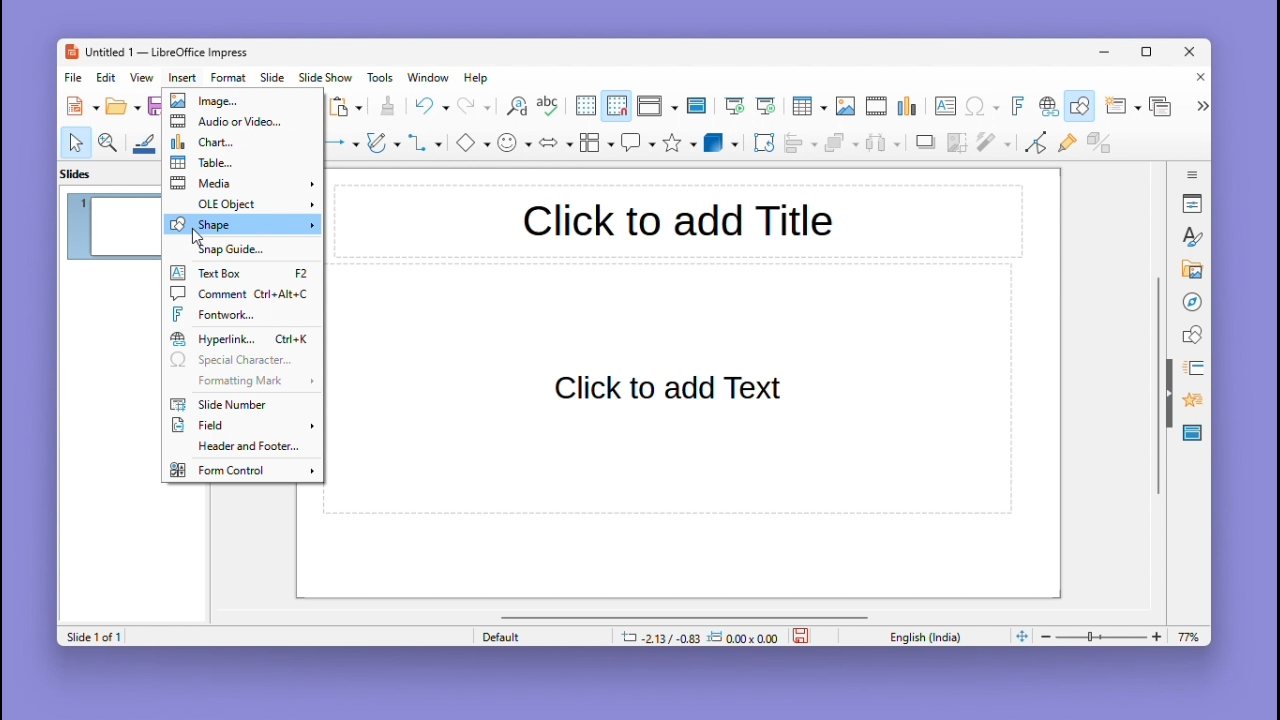 This screenshot has height=720, width=1280. What do you see at coordinates (1106, 636) in the screenshot?
I see `zoom toggle bar` at bounding box center [1106, 636].